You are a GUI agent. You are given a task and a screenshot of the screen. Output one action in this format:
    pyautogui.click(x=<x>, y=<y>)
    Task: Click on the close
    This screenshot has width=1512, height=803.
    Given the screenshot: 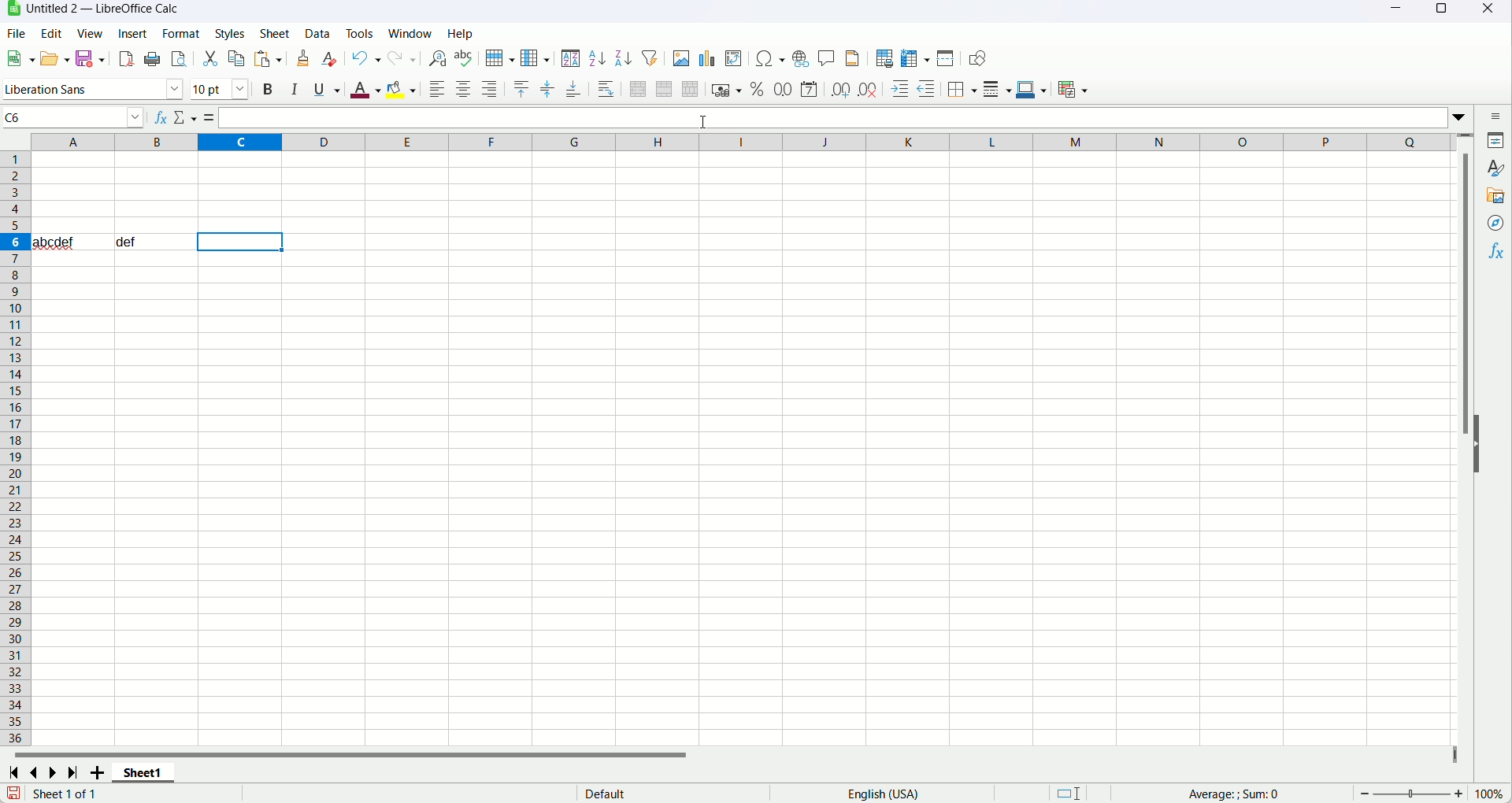 What is the action you would take?
    pyautogui.click(x=1493, y=9)
    